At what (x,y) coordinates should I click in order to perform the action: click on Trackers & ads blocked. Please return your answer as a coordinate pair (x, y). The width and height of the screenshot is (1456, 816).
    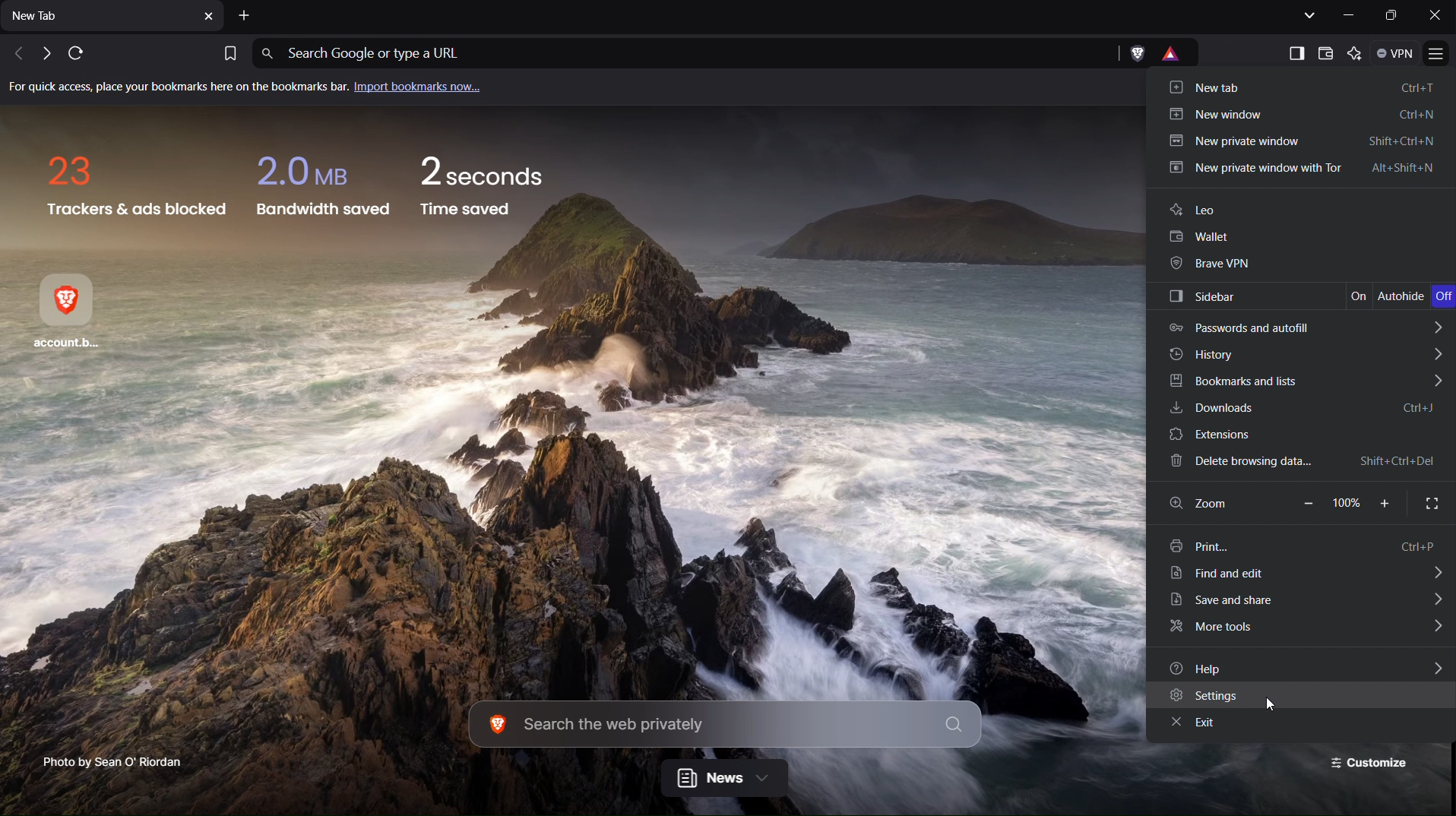
    Looking at the image, I should click on (133, 184).